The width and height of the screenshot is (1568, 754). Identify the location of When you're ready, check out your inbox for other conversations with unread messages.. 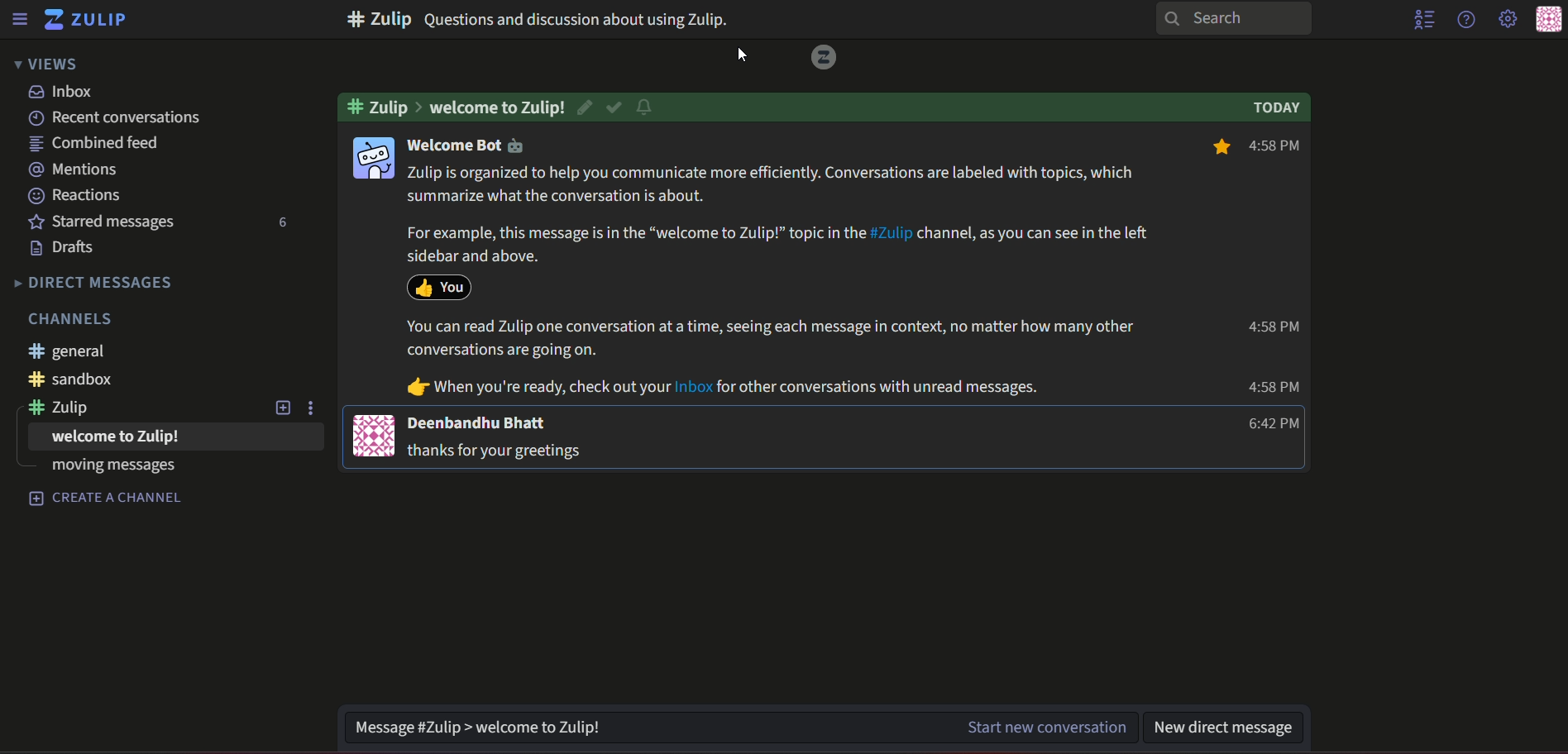
(769, 339).